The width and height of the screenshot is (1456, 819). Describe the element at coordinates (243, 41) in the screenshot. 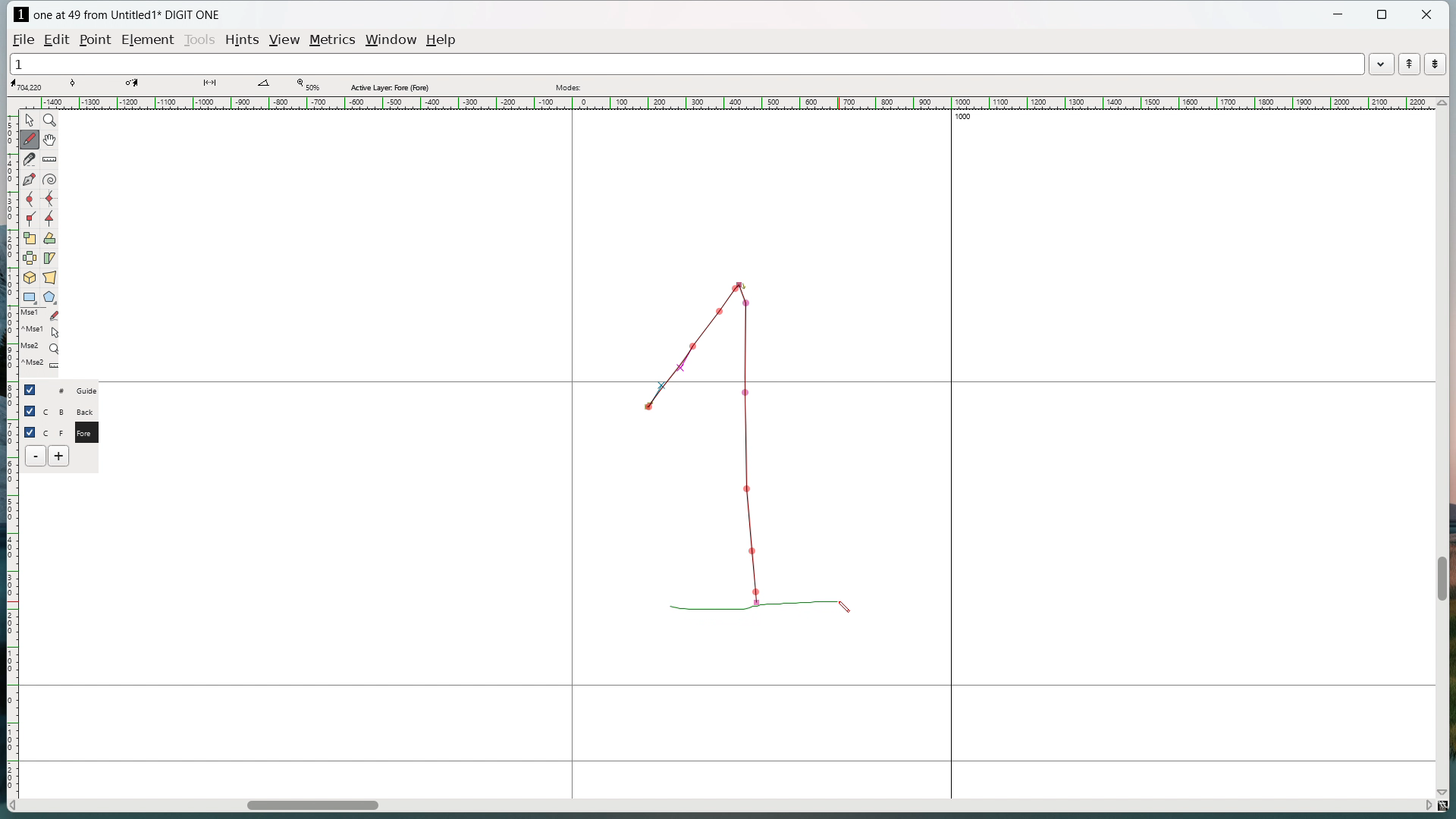

I see `hints` at that location.